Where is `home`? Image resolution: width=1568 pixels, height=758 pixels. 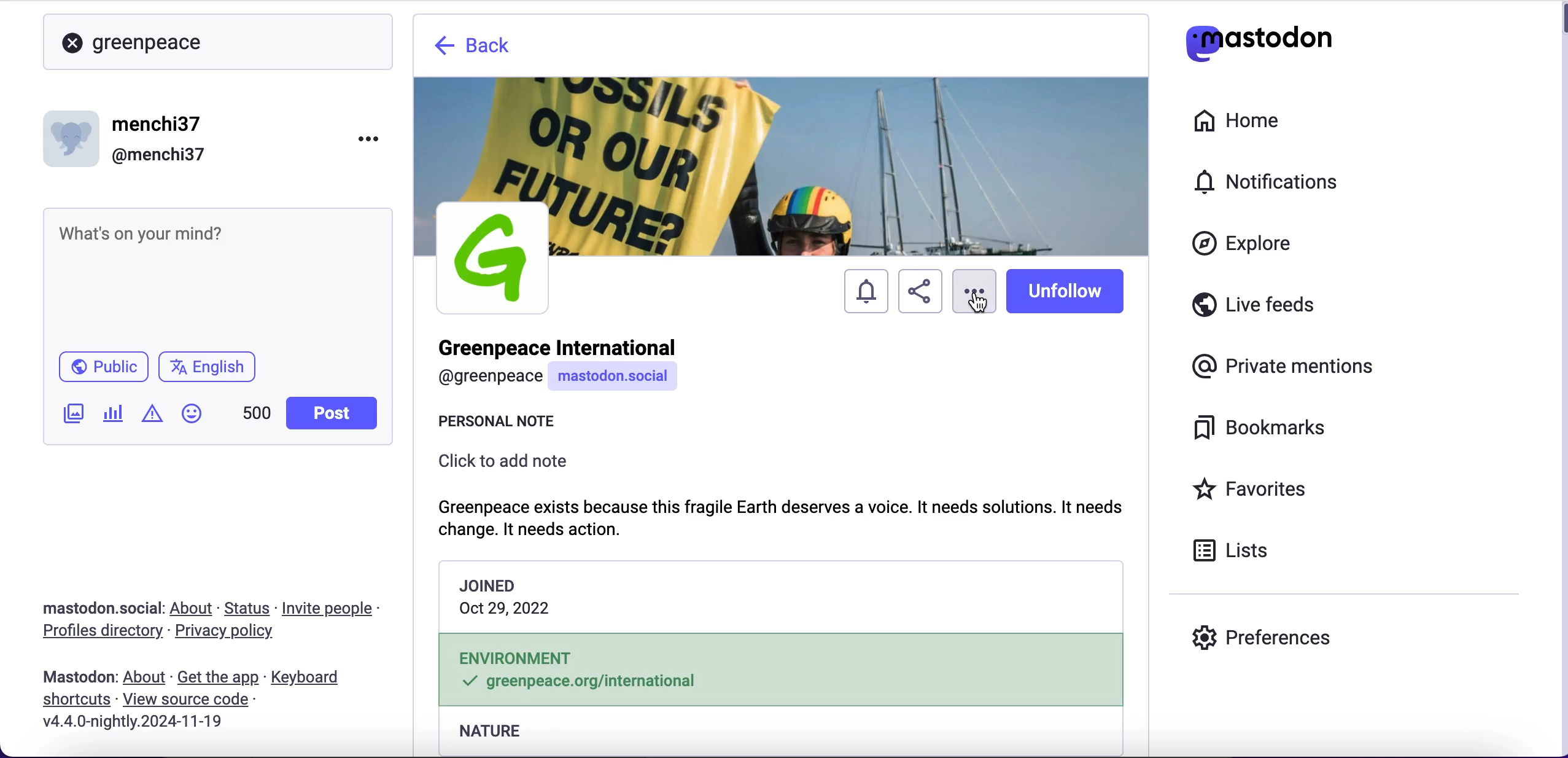
home is located at coordinates (1234, 121).